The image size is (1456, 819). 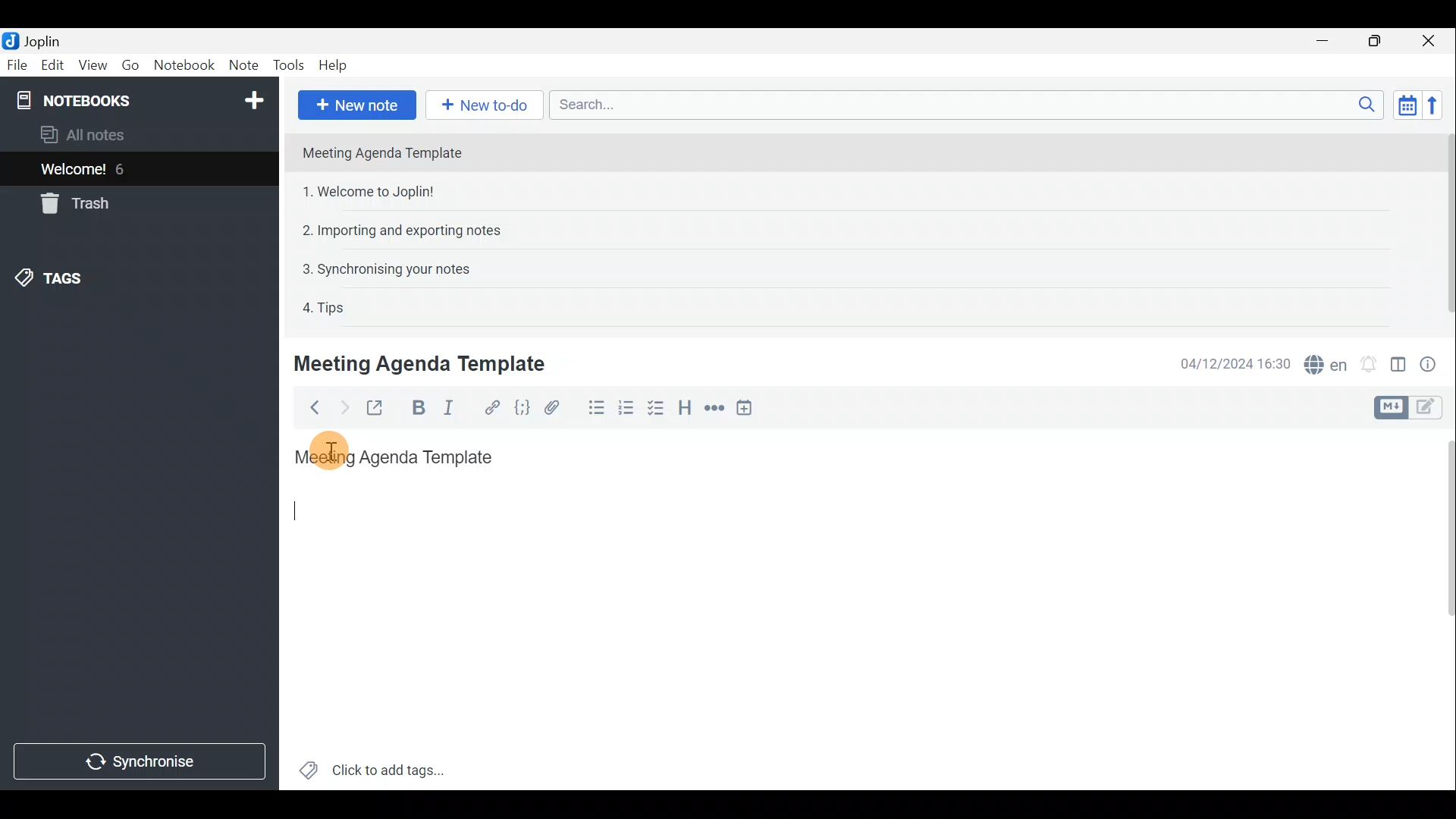 I want to click on Set alarm, so click(x=1370, y=364).